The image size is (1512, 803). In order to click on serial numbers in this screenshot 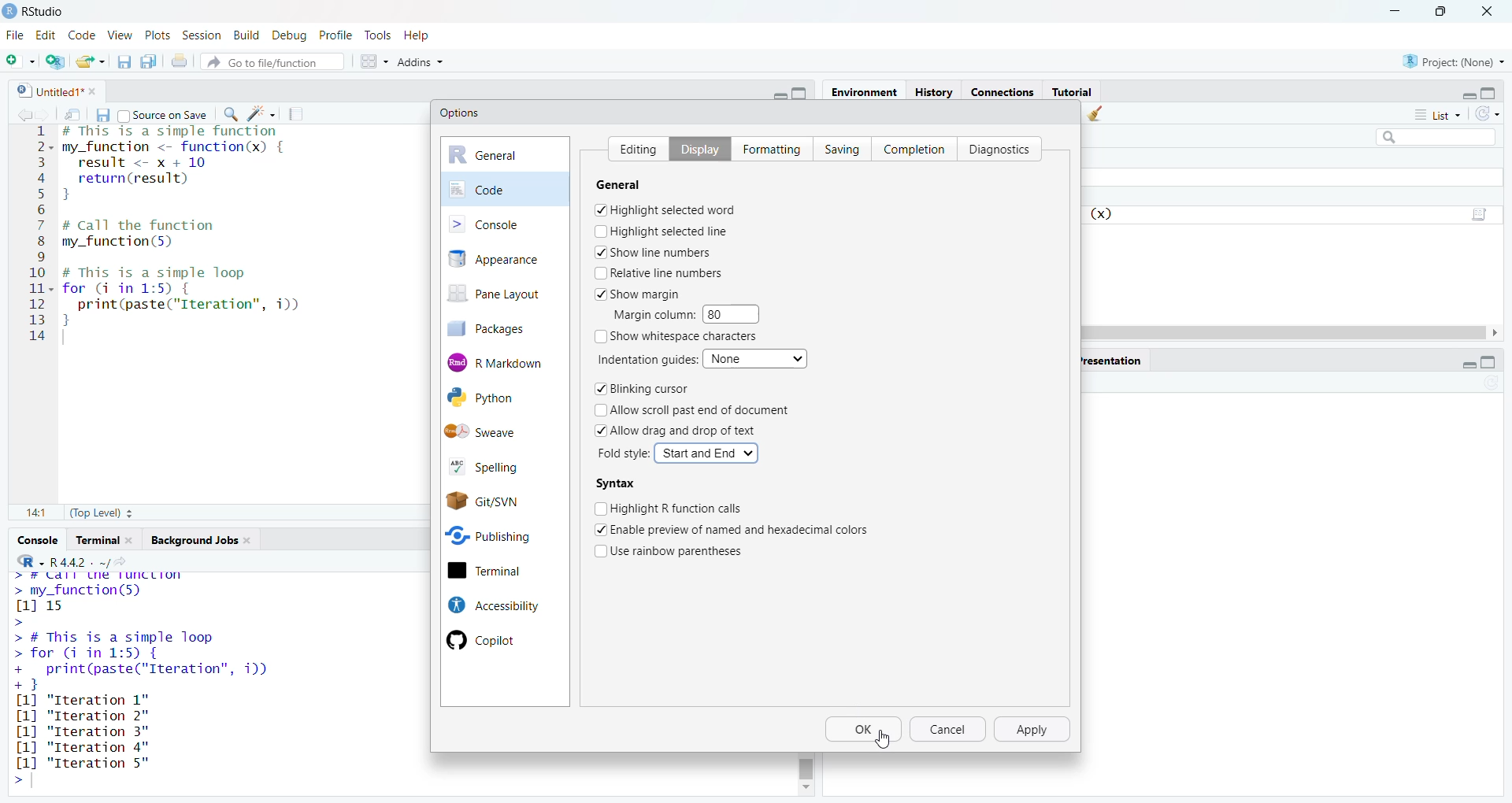, I will do `click(38, 237)`.